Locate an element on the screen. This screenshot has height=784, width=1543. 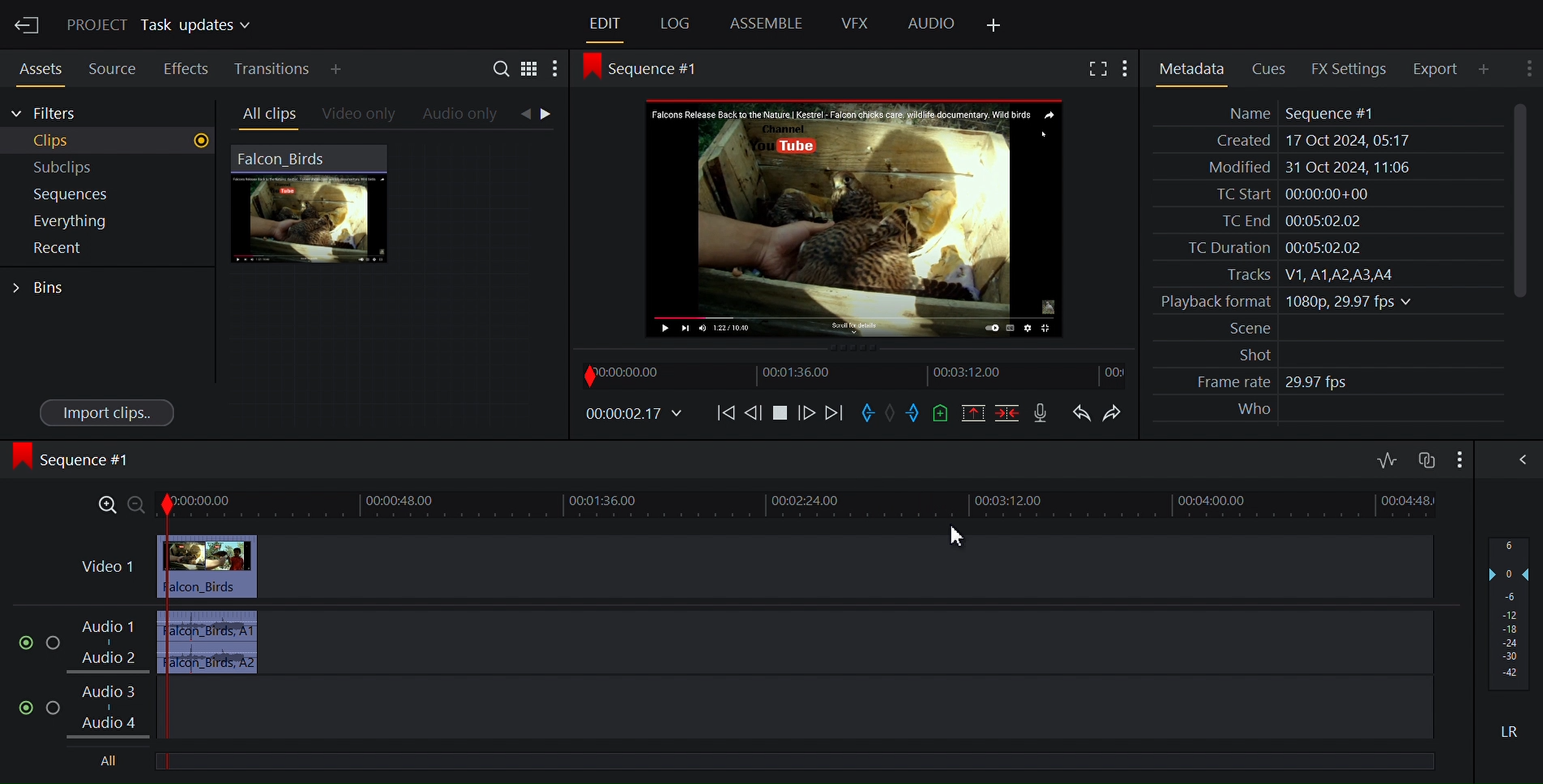
Nudge one frame backwards is located at coordinates (755, 415).